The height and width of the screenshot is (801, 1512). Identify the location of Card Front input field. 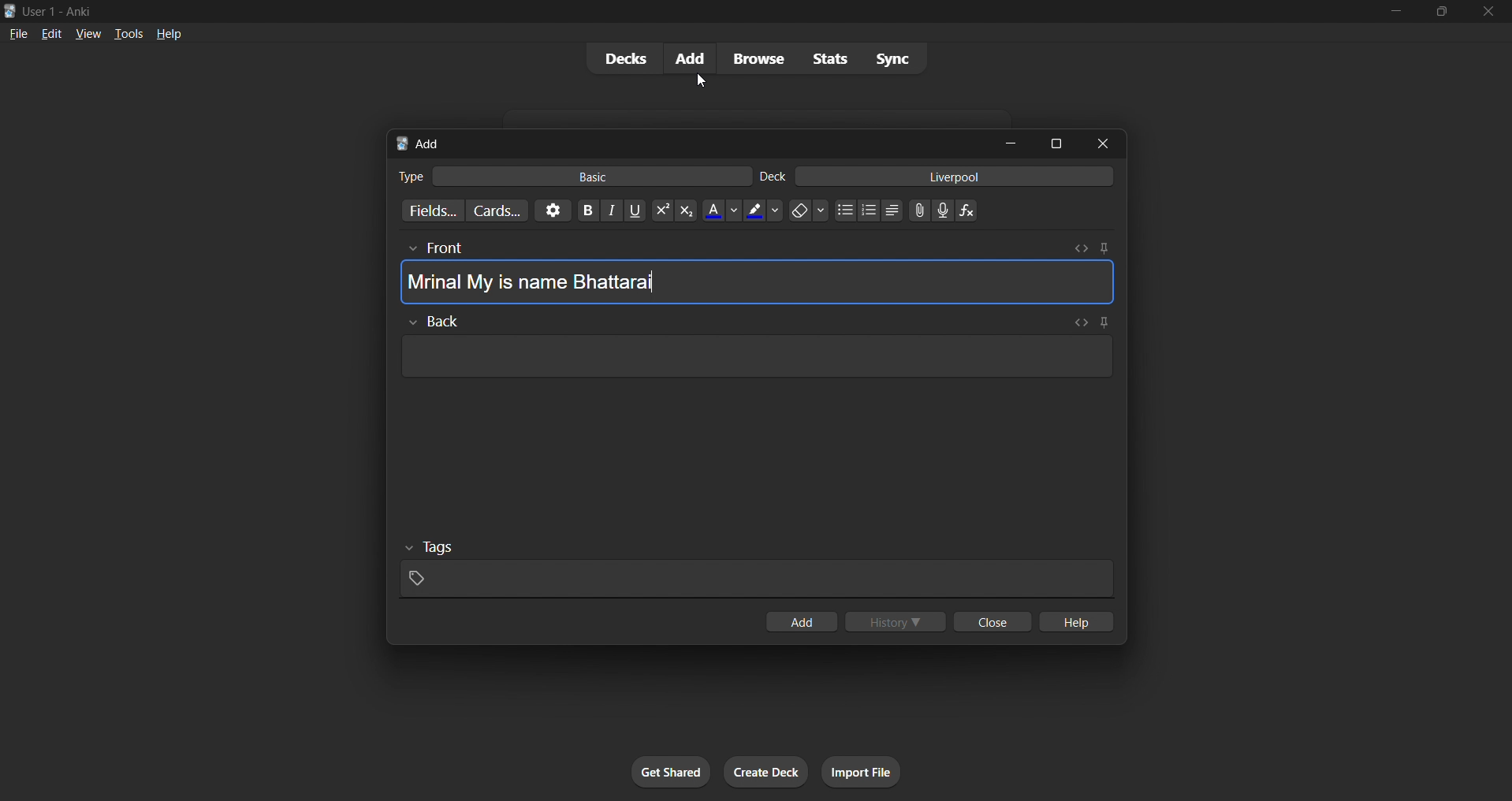
(762, 272).